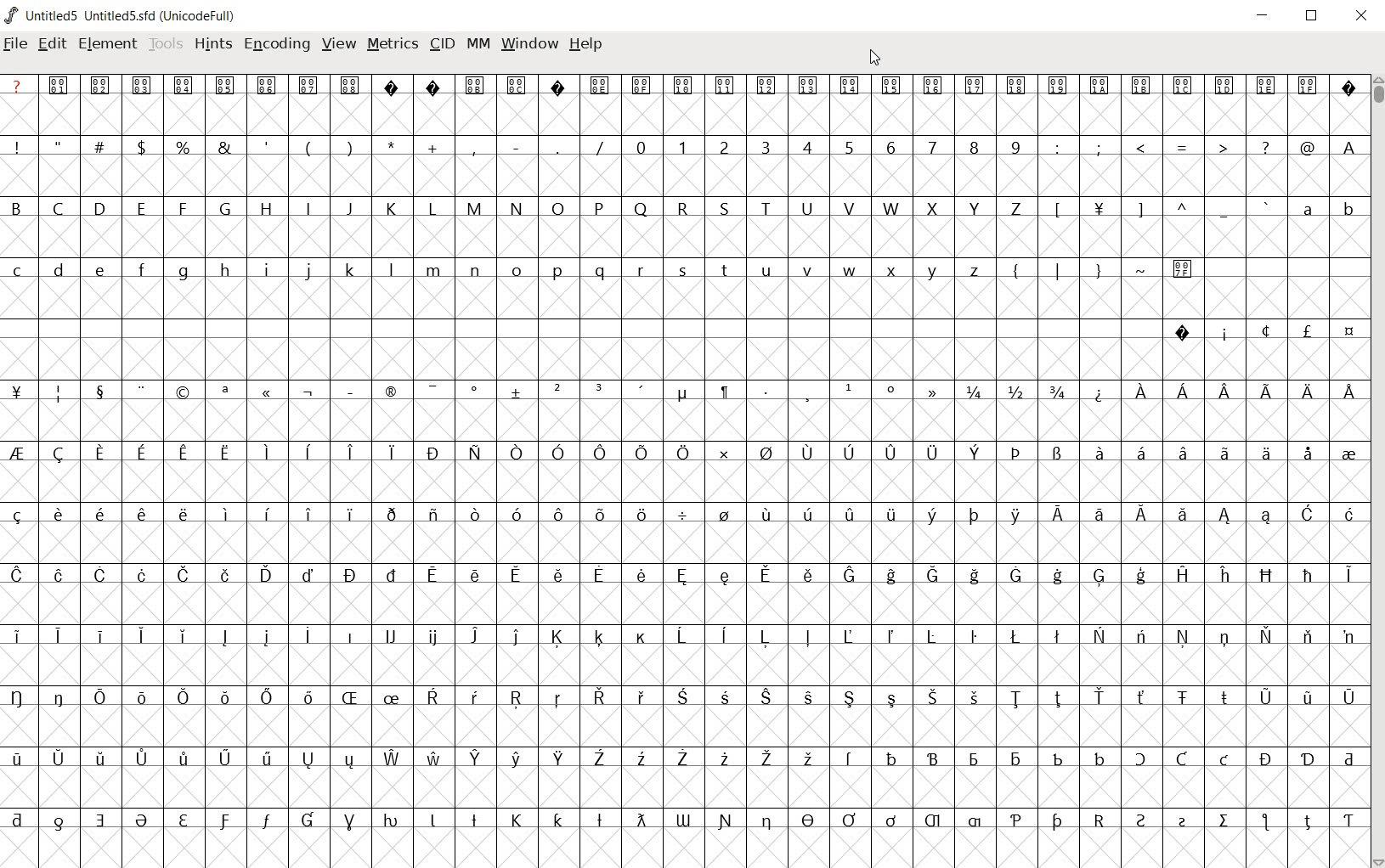 Image resolution: width=1385 pixels, height=868 pixels. Describe the element at coordinates (1138, 453) in the screenshot. I see `Symbol` at that location.